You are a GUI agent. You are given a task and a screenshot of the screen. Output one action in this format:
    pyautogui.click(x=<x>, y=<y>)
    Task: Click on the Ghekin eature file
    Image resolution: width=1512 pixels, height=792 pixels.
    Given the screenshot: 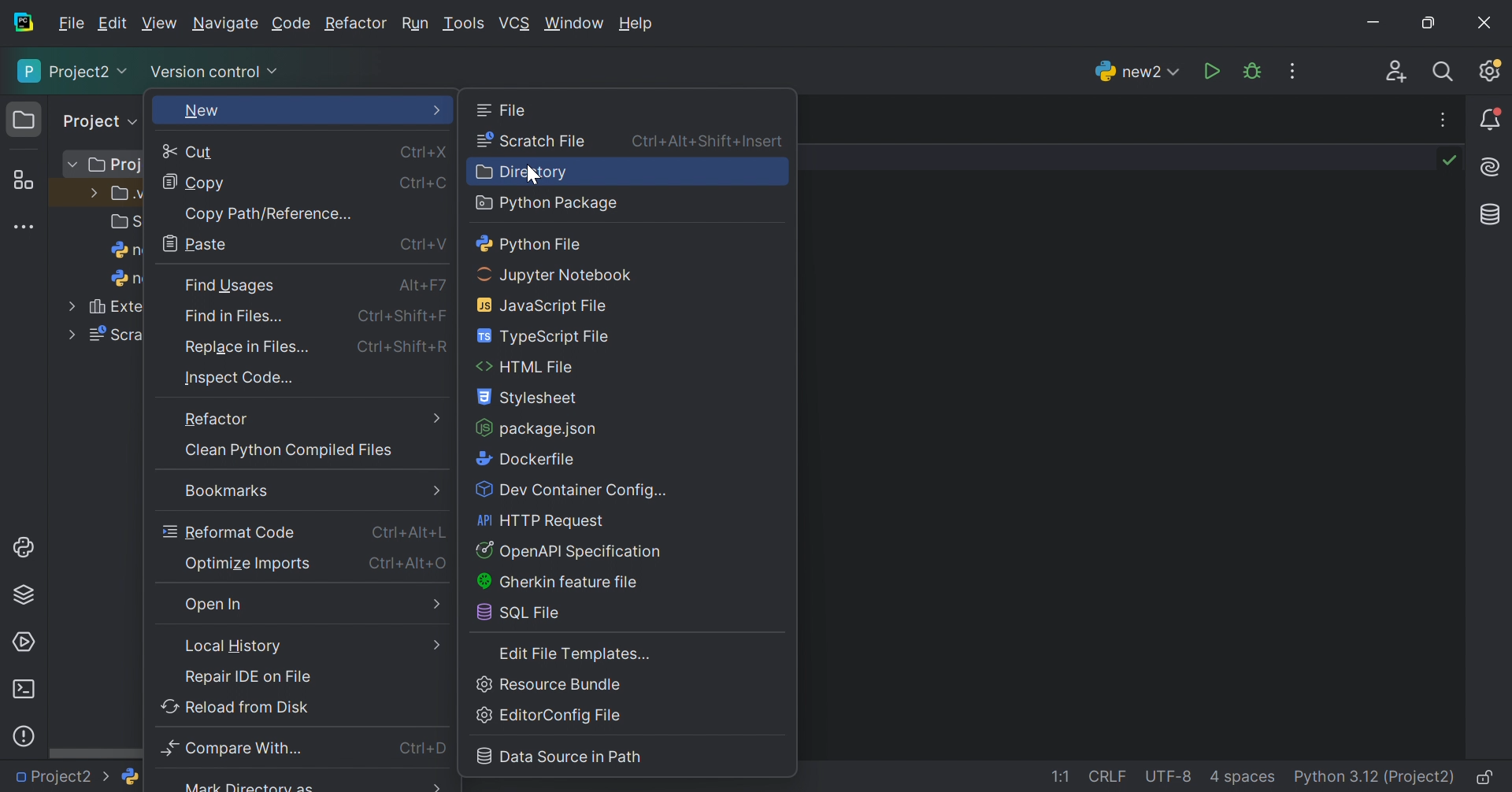 What is the action you would take?
    pyautogui.click(x=565, y=583)
    